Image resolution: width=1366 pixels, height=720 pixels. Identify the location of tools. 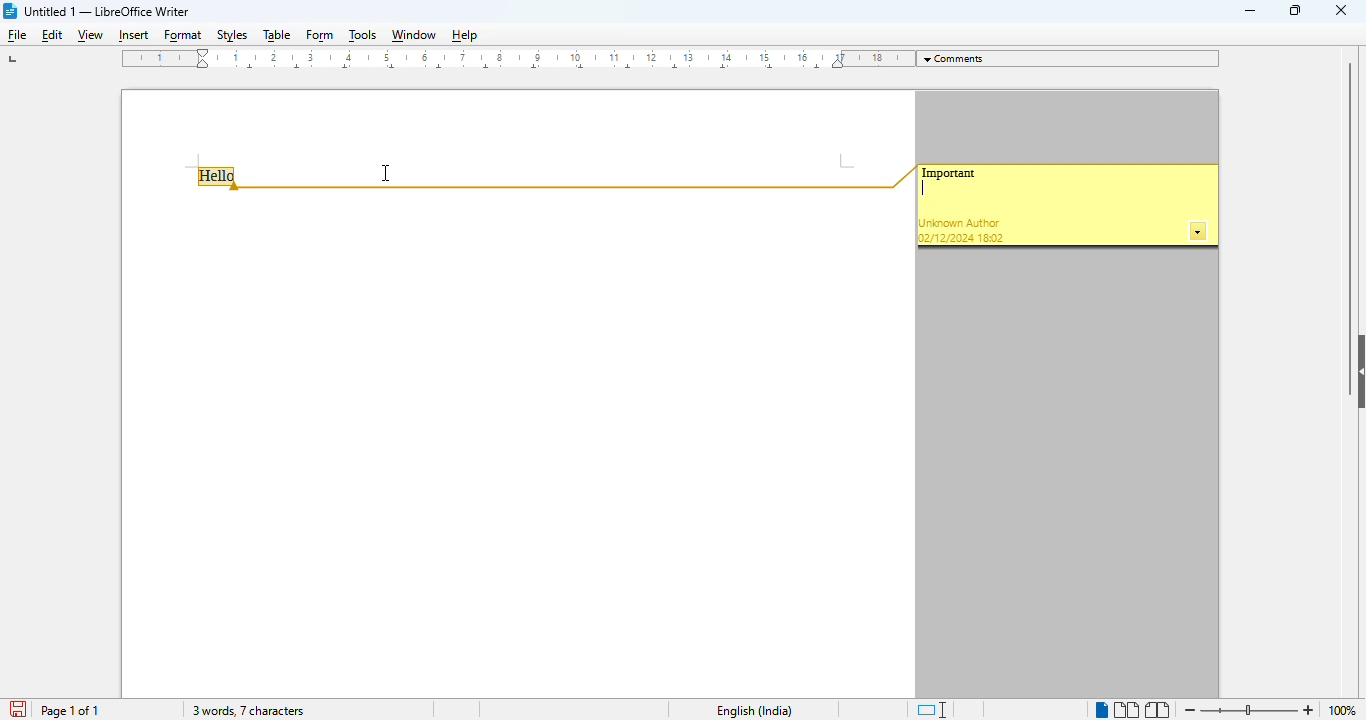
(363, 35).